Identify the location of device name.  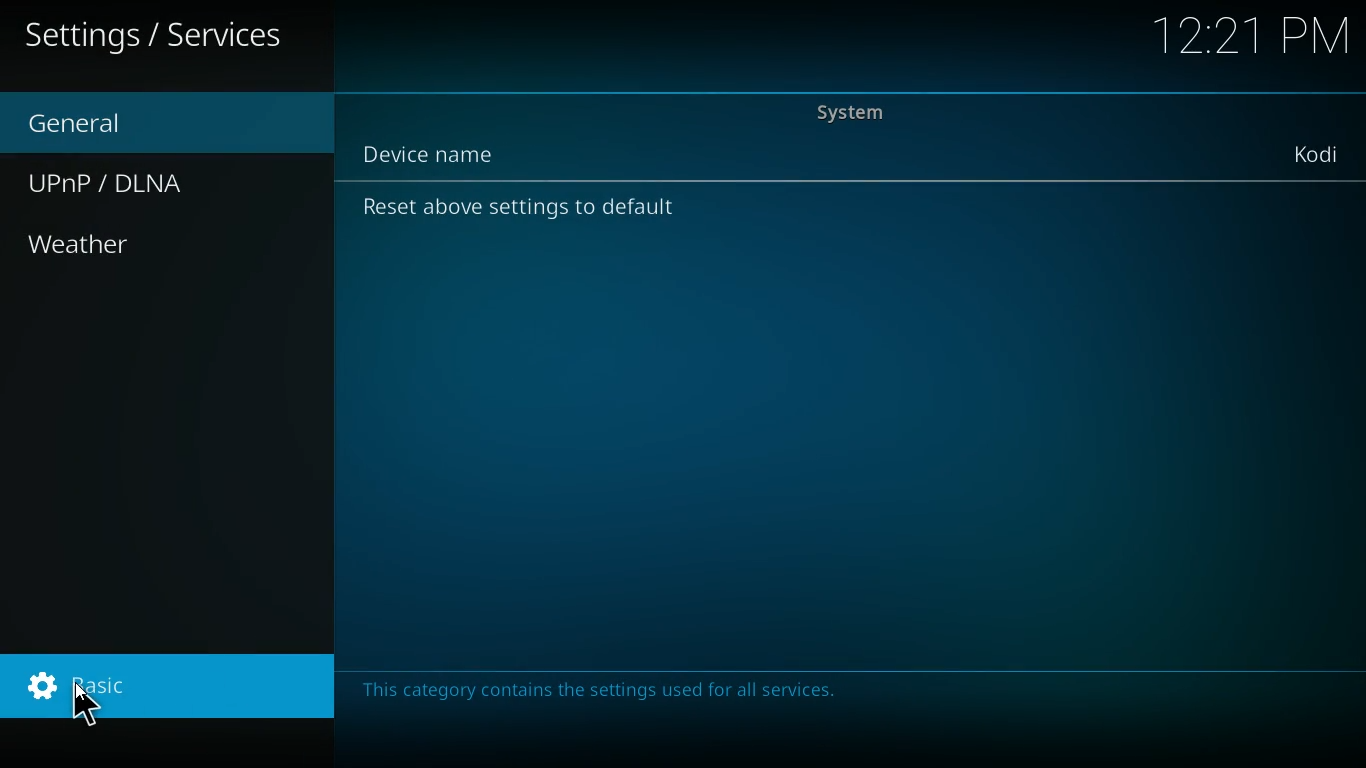
(437, 154).